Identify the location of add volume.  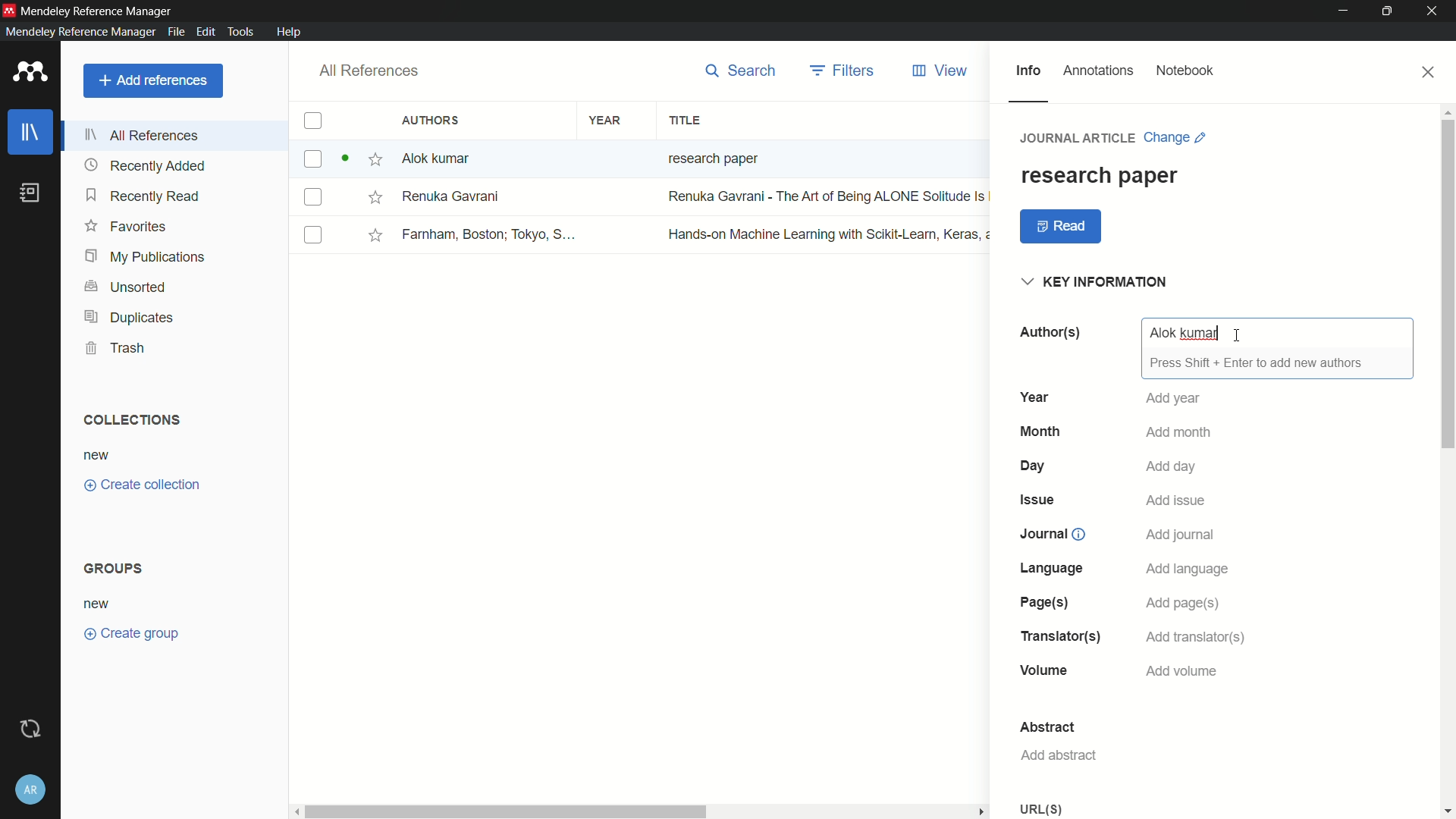
(1184, 672).